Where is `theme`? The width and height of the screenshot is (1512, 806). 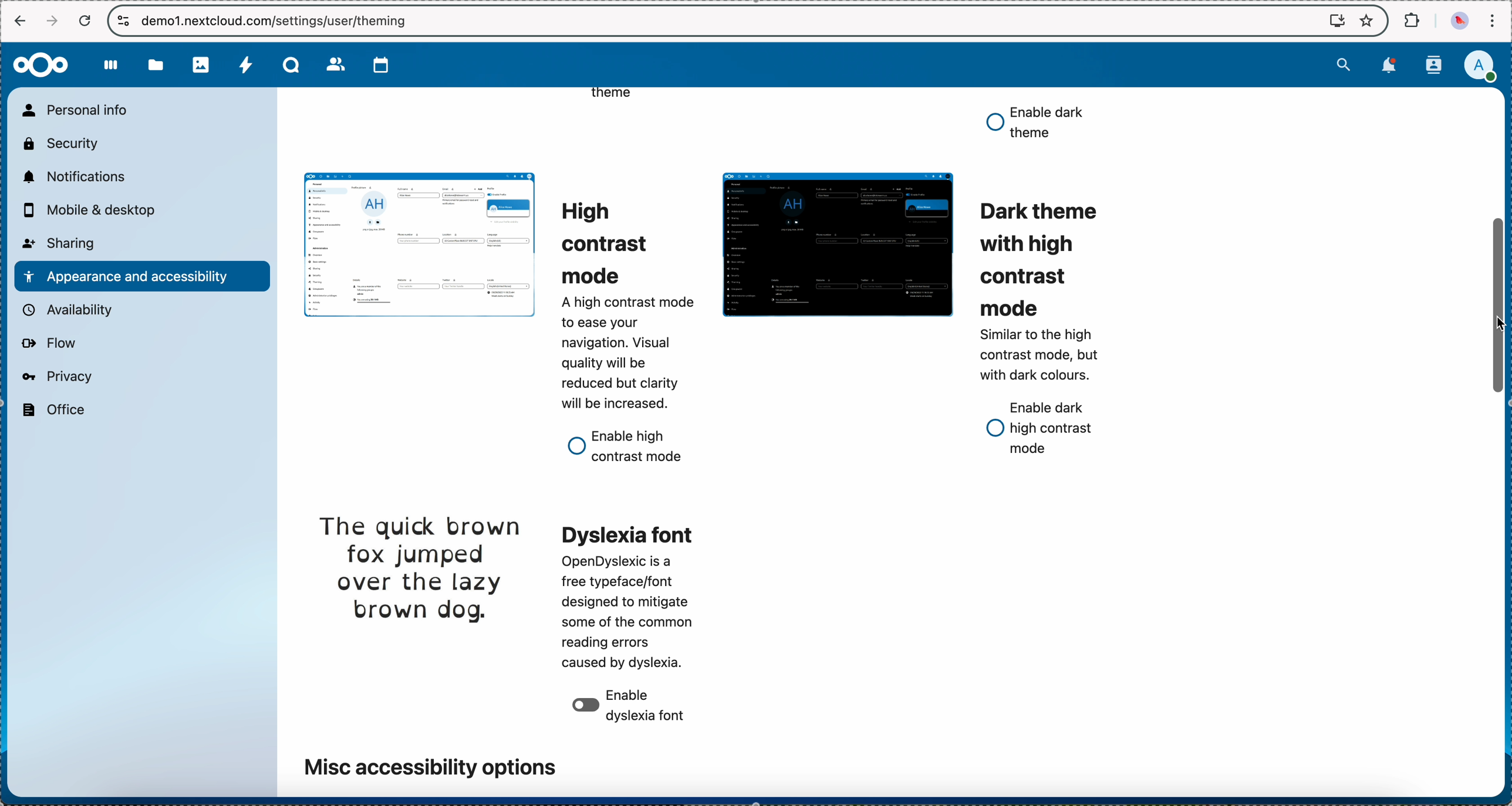
theme is located at coordinates (612, 99).